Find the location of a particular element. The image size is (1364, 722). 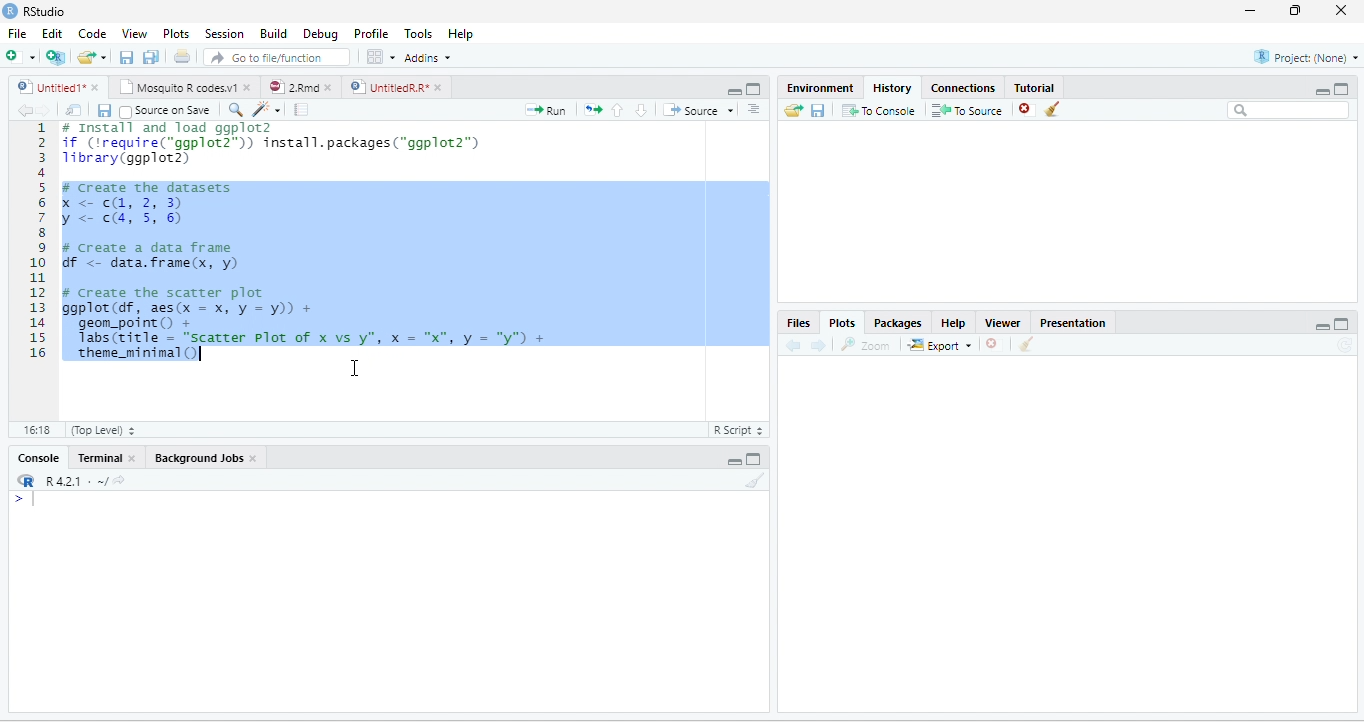

Save history into a file is located at coordinates (818, 111).